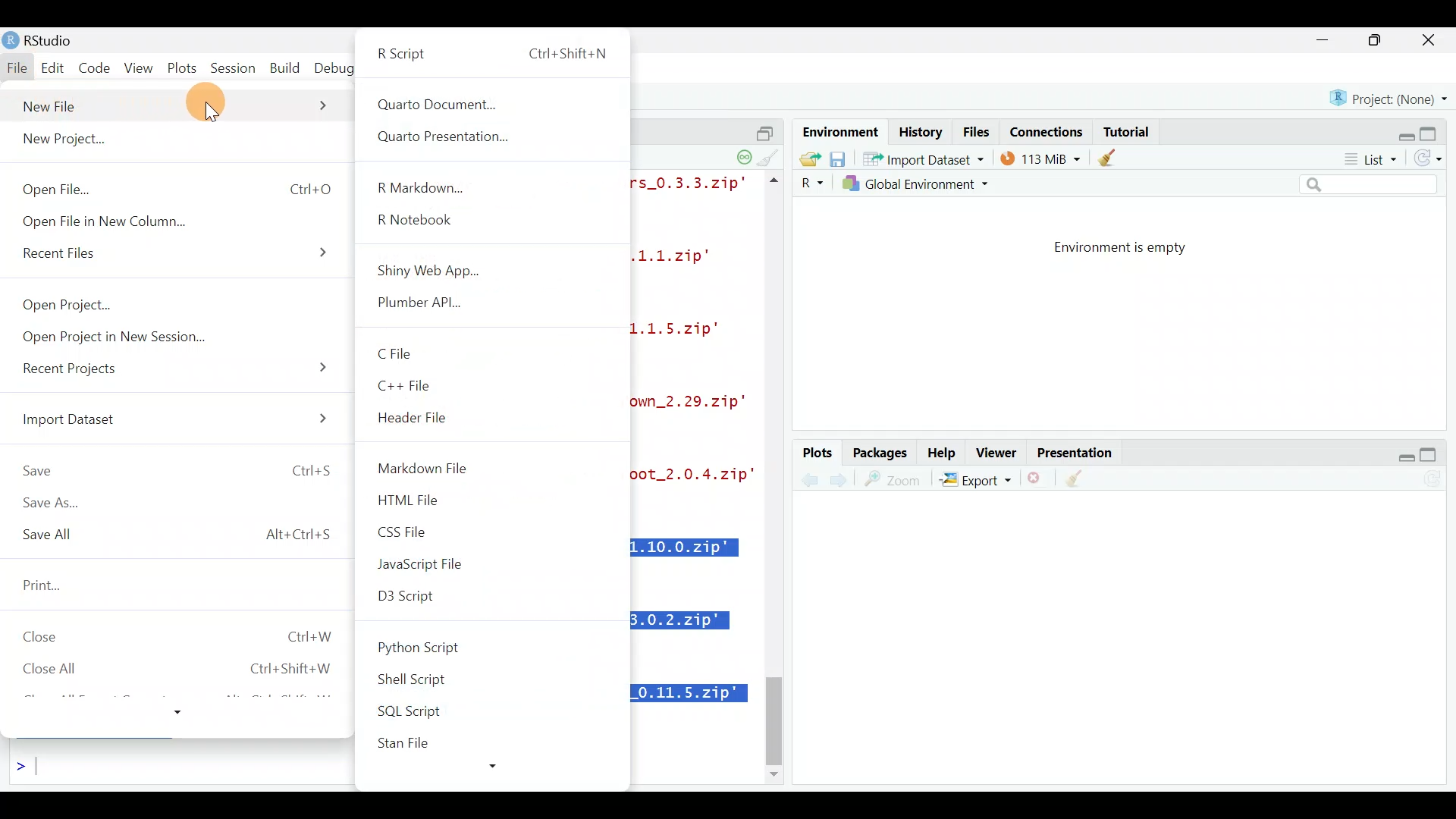 The width and height of the screenshot is (1456, 819). Describe the element at coordinates (1109, 157) in the screenshot. I see `clear objects from the workspace` at that location.